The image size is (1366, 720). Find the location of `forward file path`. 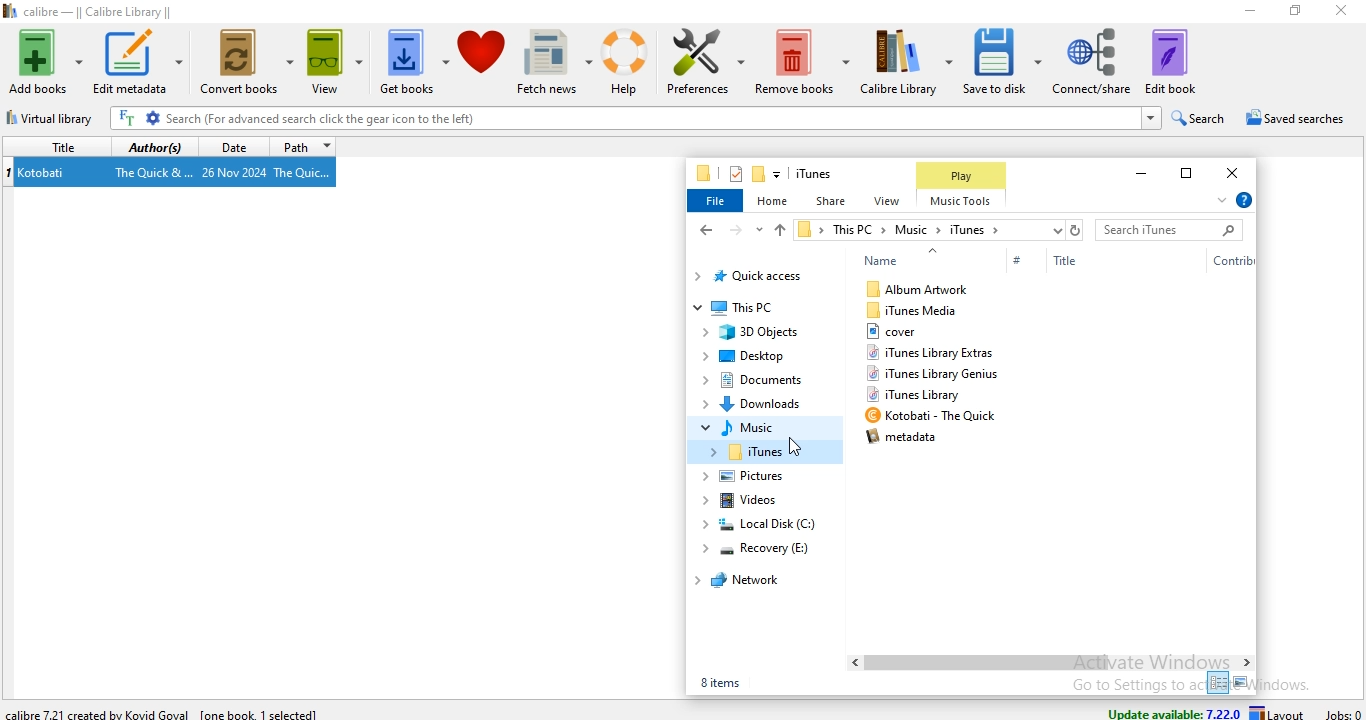

forward file path is located at coordinates (738, 231).